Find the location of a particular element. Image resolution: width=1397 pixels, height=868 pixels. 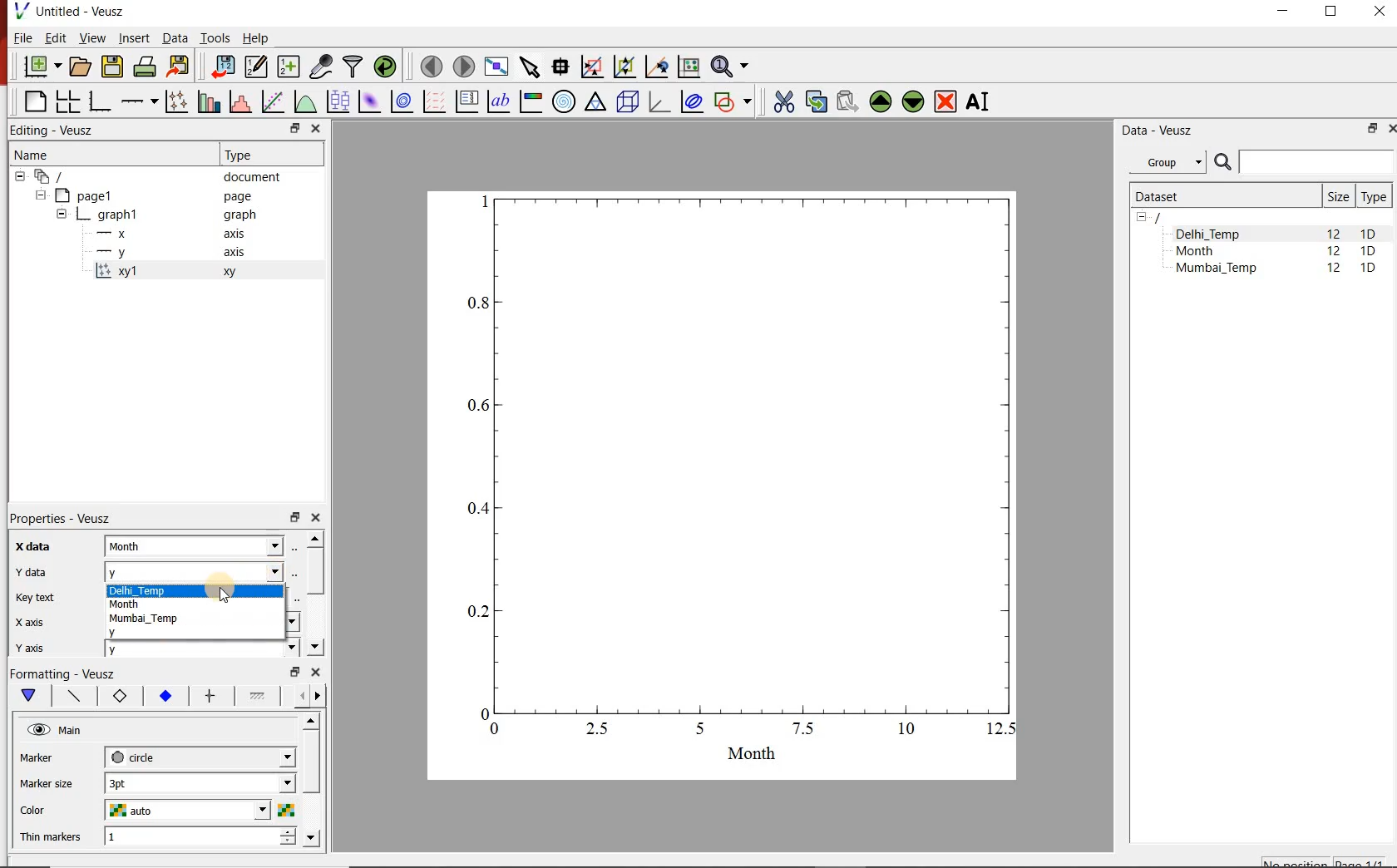

SEARCH DATASETS is located at coordinates (1303, 163).